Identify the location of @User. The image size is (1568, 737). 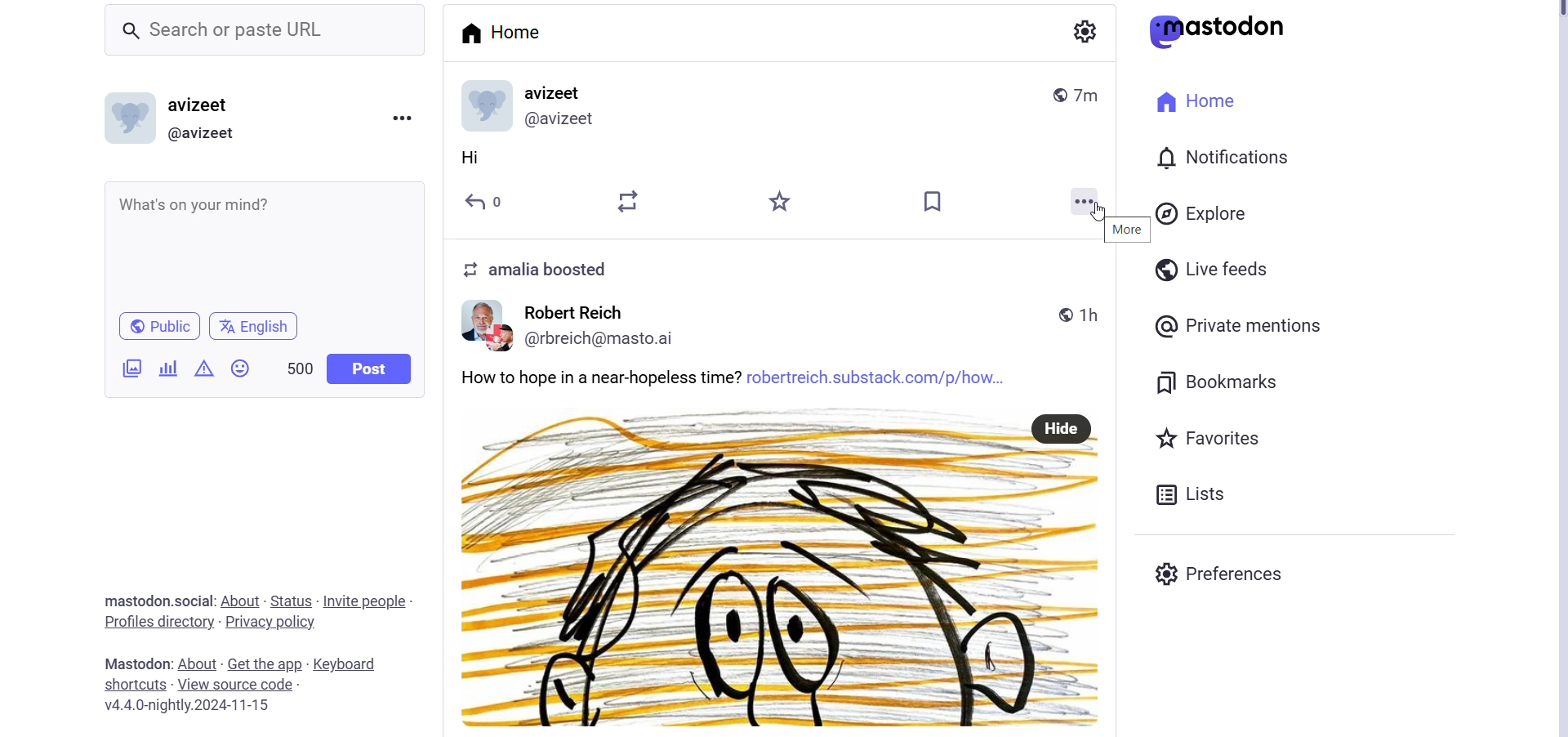
(210, 134).